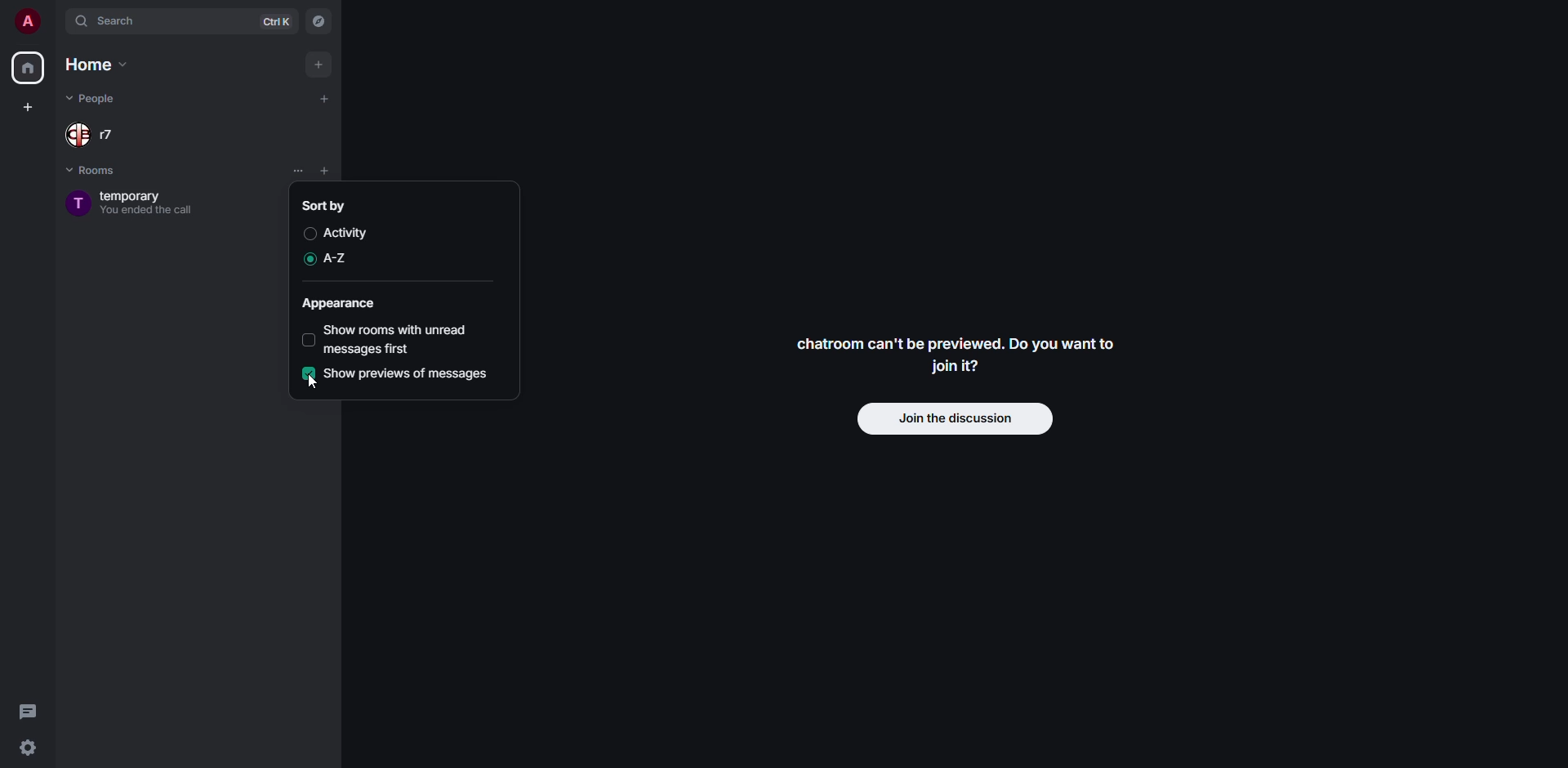 The image size is (1568, 768). I want to click on home, so click(27, 67).